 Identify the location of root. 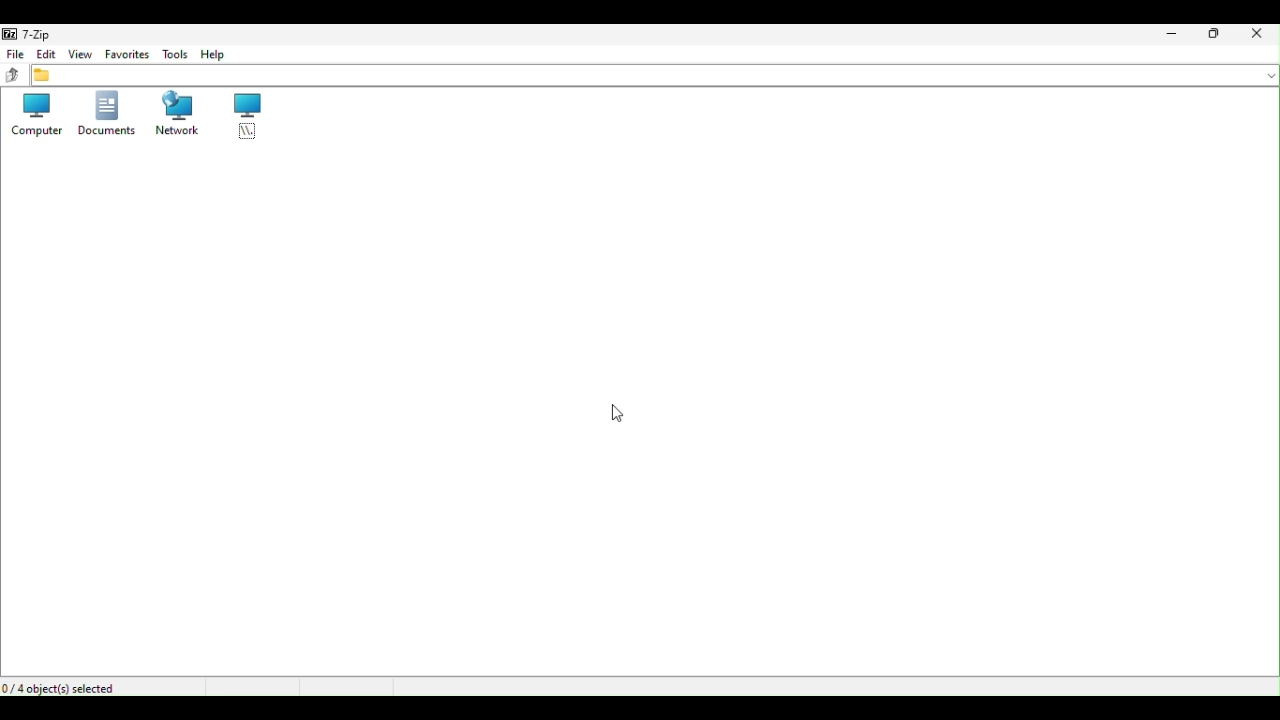
(247, 117).